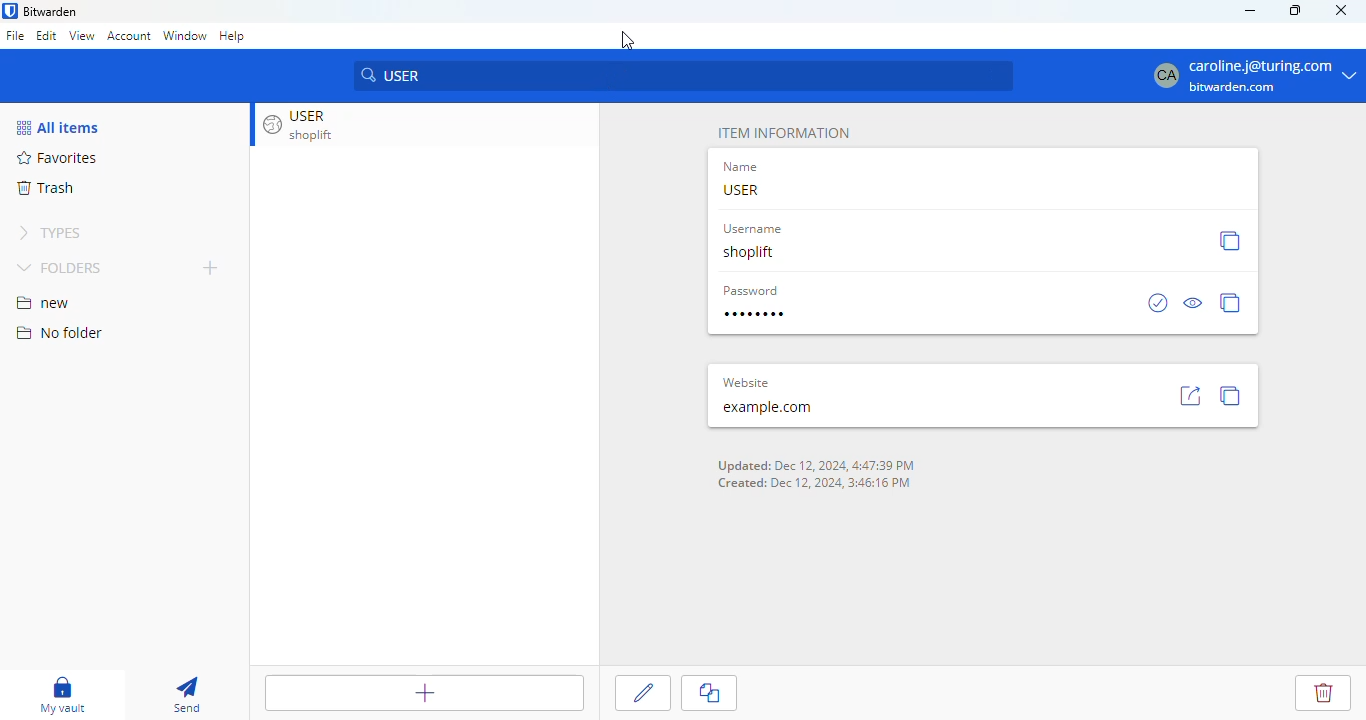  I want to click on example.com, so click(770, 408).